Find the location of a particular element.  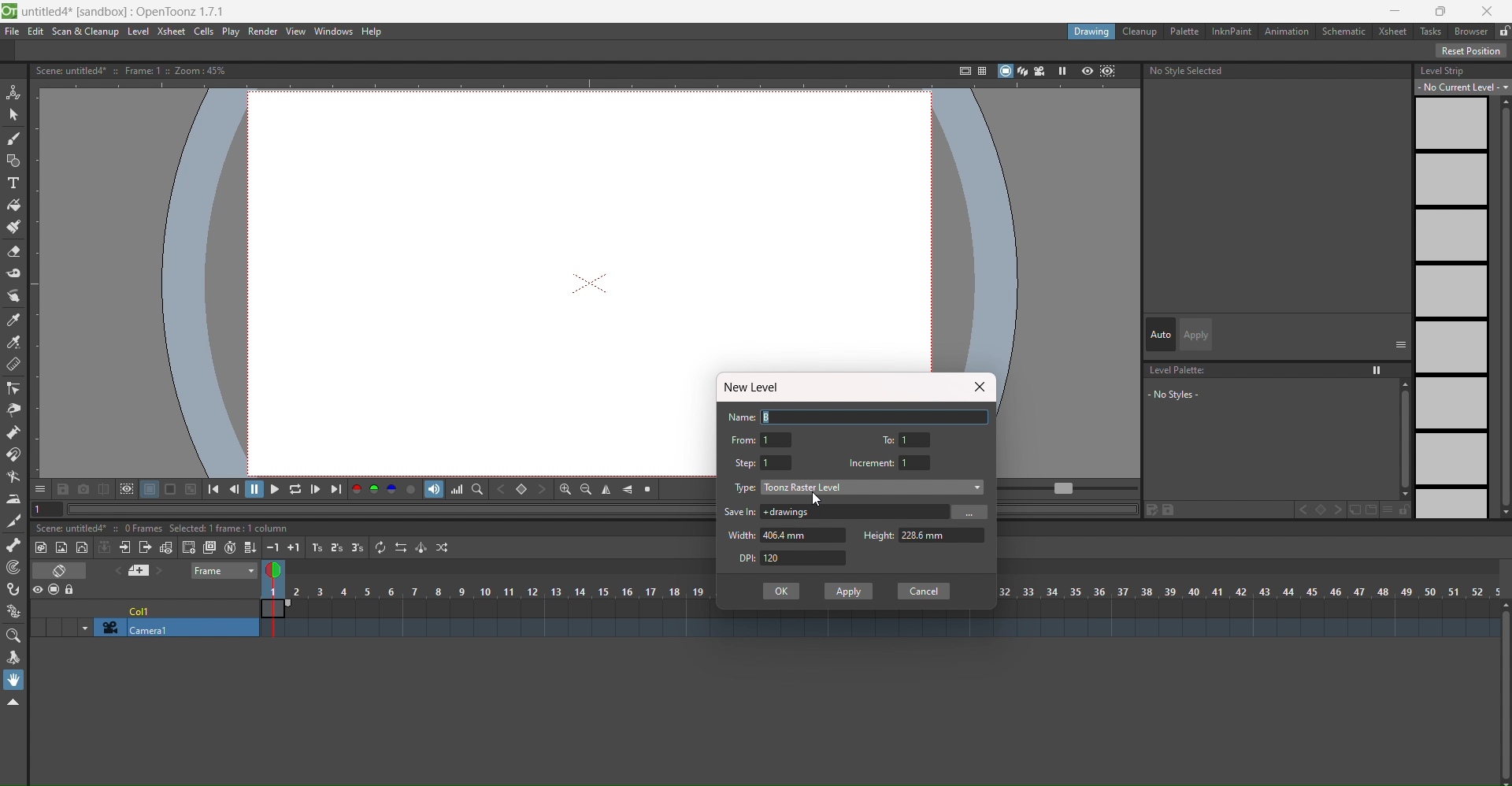

apply is located at coordinates (850, 591).